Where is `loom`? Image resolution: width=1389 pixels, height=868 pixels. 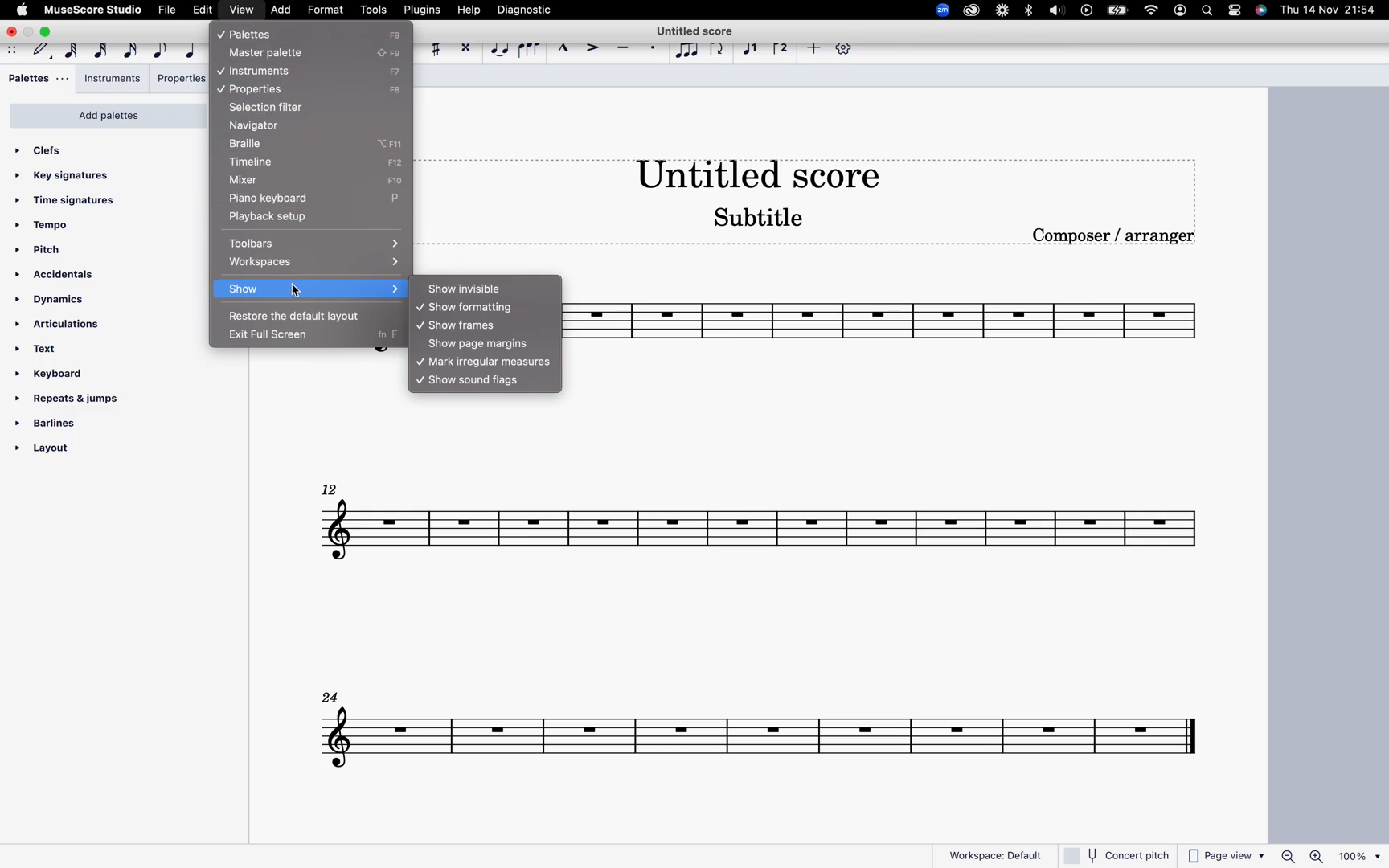
loom is located at coordinates (1002, 12).